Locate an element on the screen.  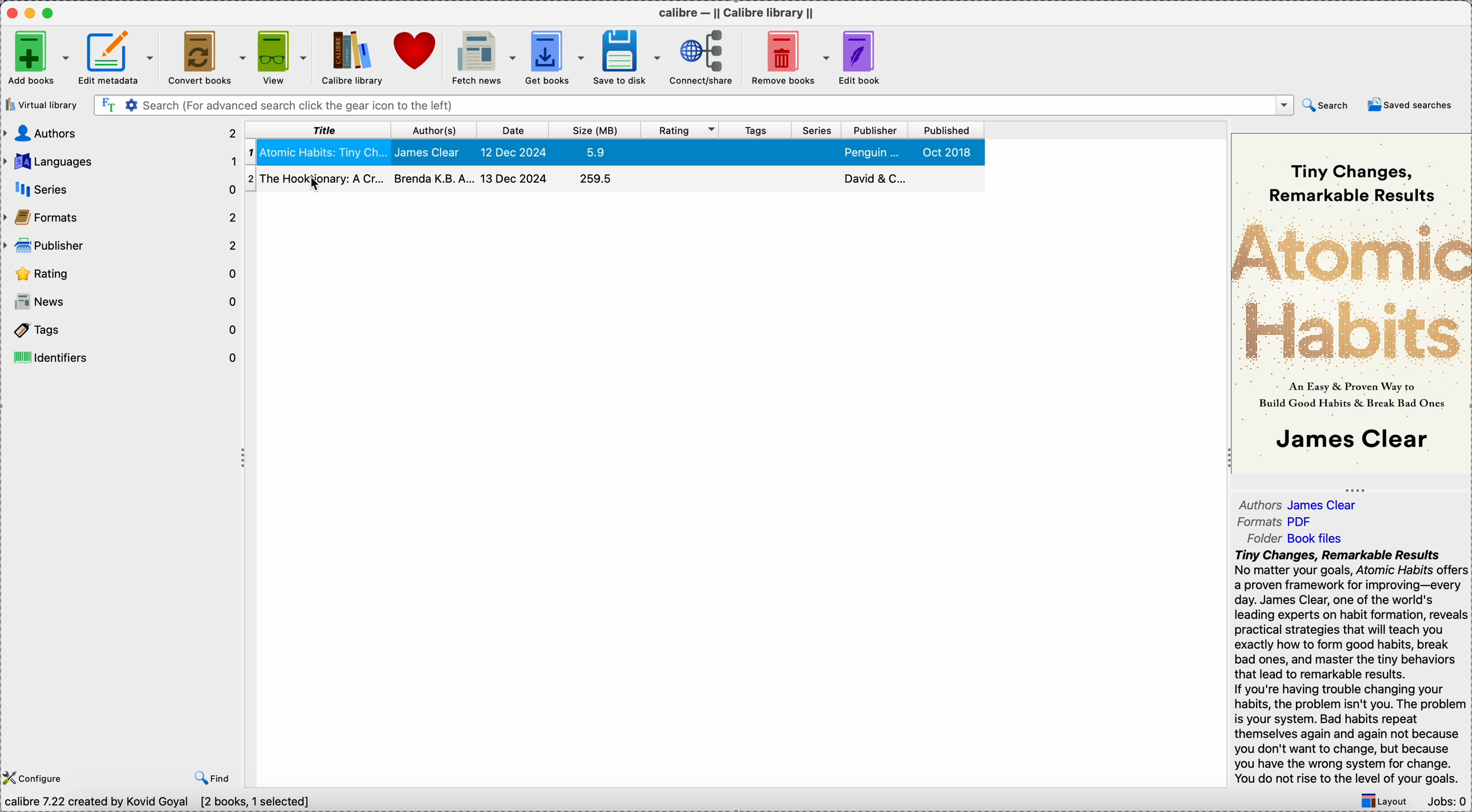
published is located at coordinates (944, 131).